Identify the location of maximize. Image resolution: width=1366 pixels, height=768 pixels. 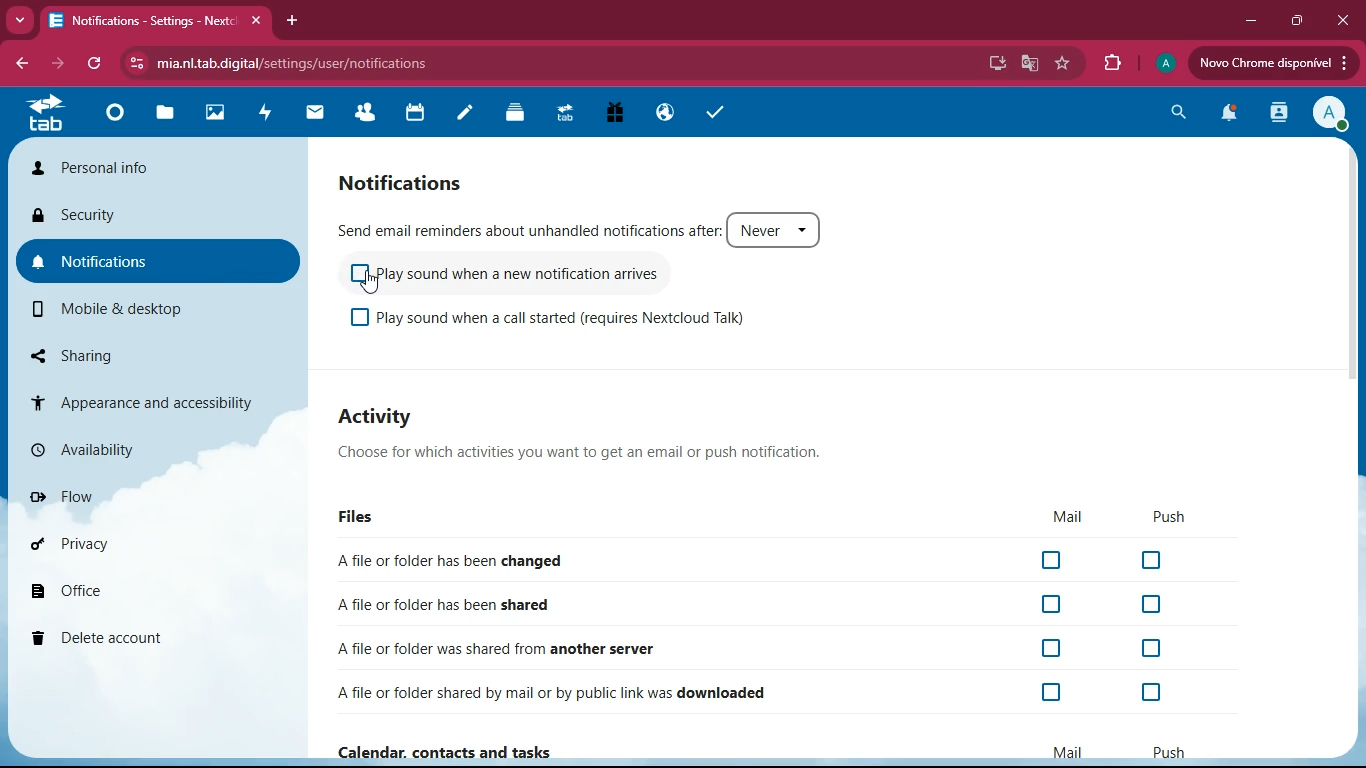
(1292, 21).